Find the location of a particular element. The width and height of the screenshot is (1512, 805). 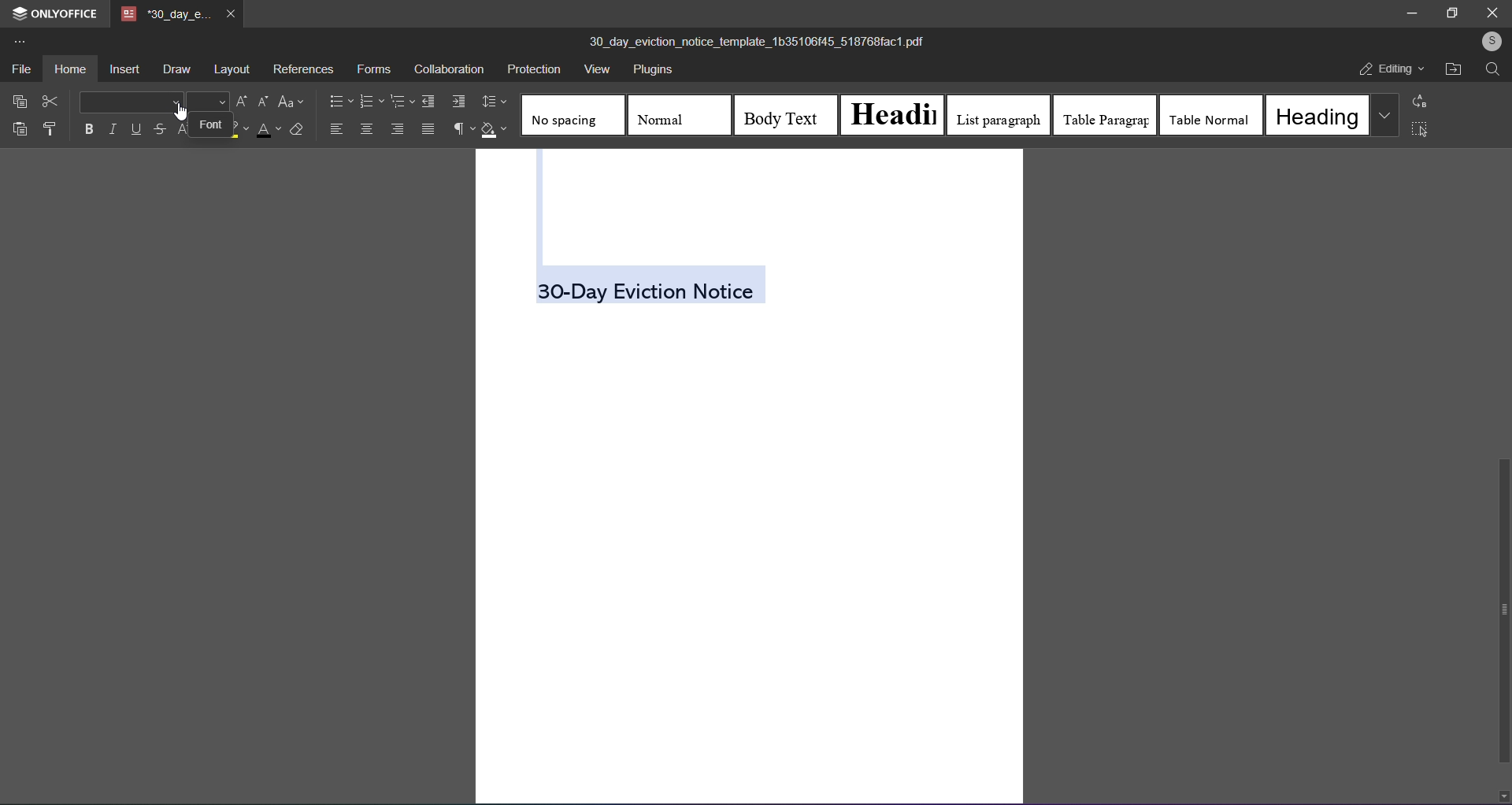

insert is located at coordinates (124, 68).